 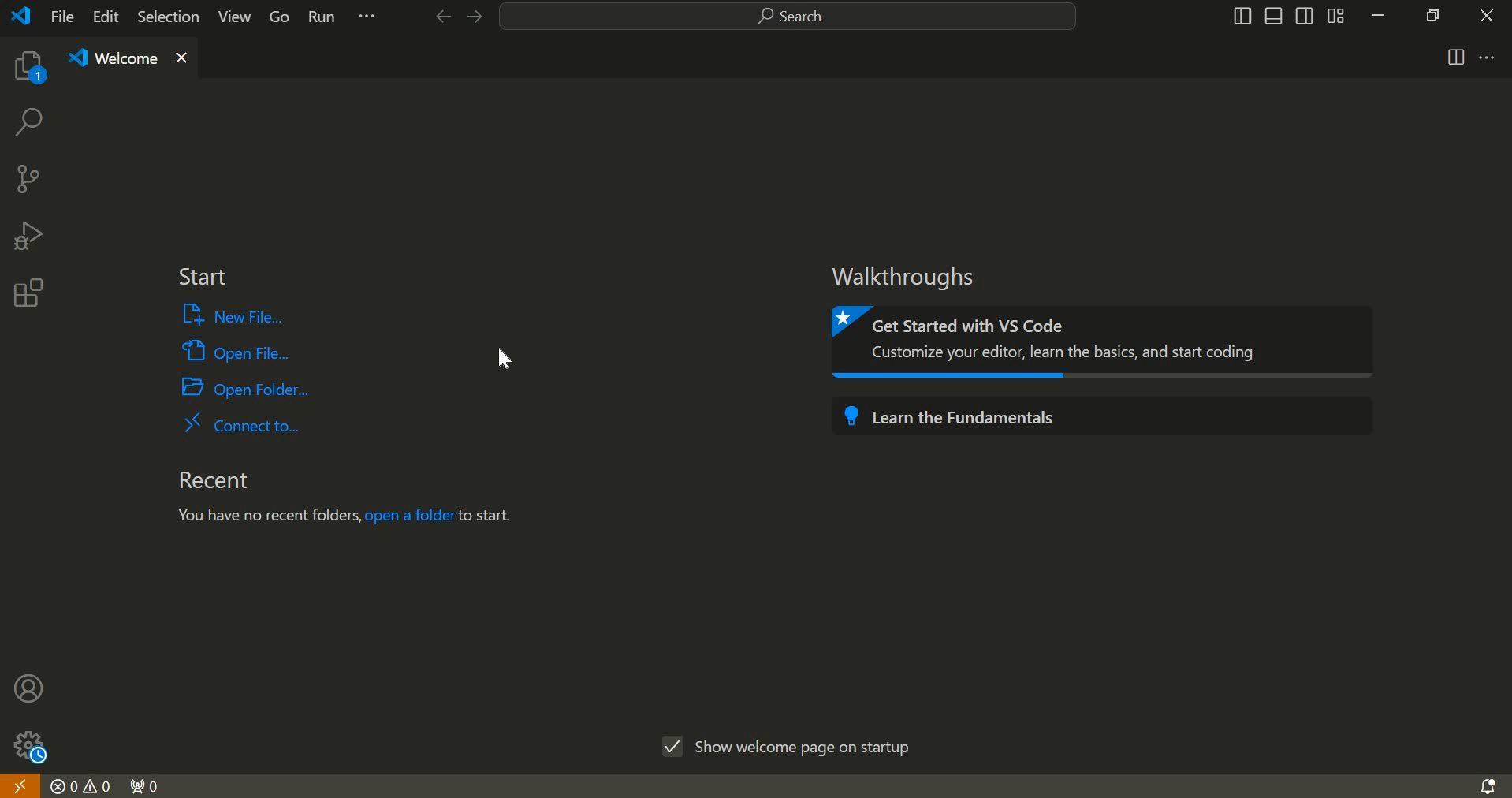 I want to click on connect to, so click(x=241, y=423).